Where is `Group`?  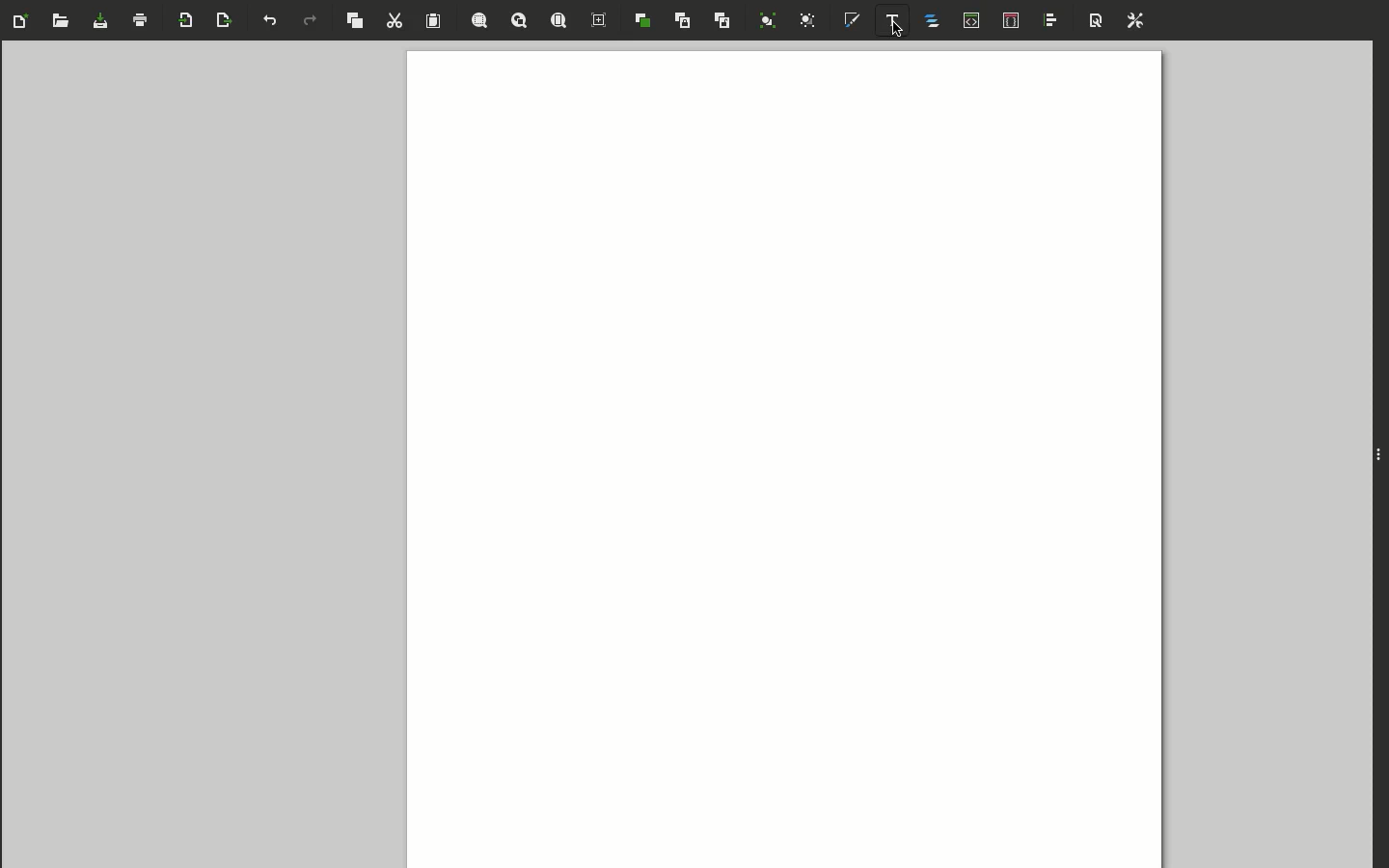 Group is located at coordinates (768, 20).